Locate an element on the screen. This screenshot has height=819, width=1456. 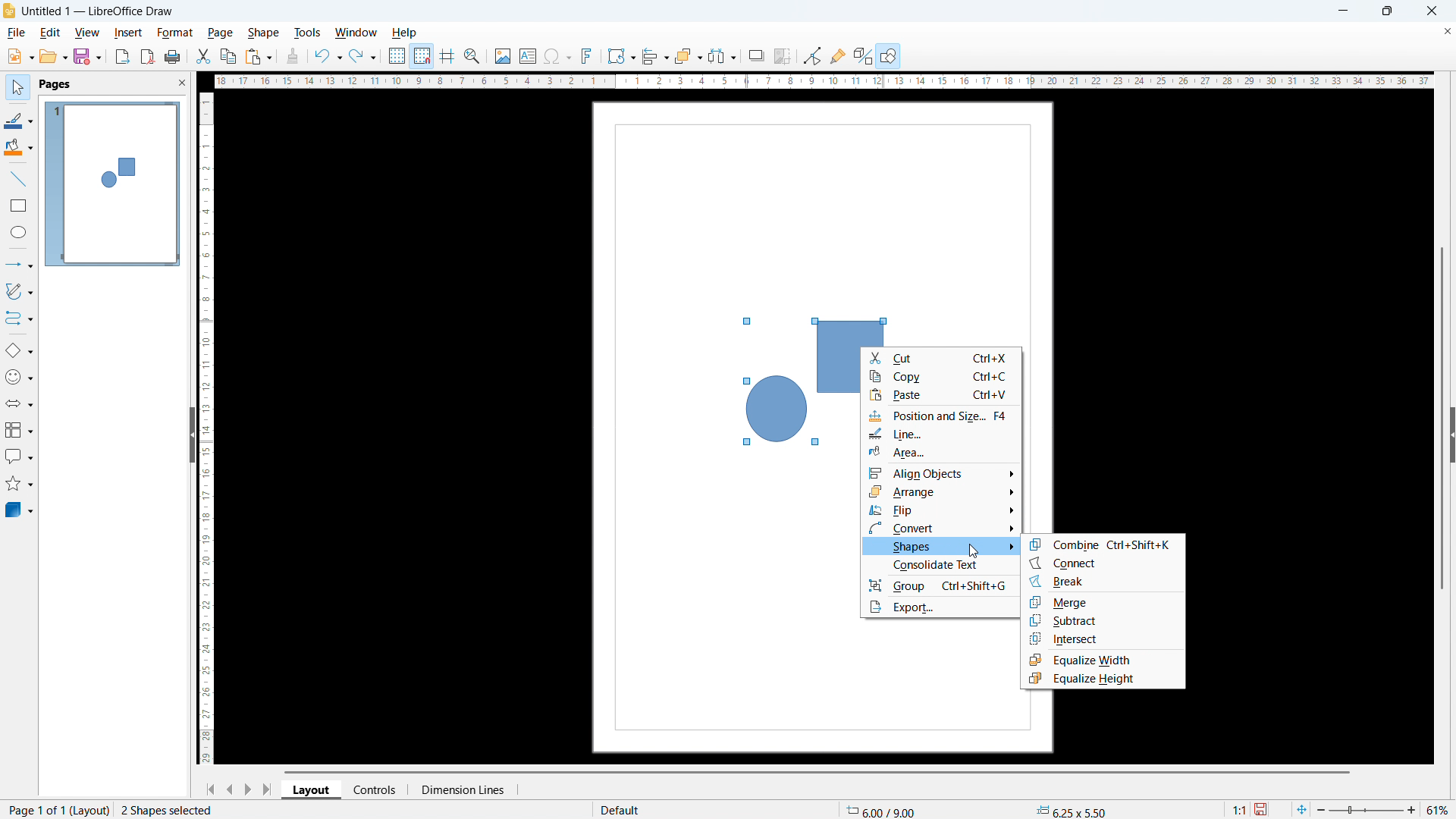
 is located at coordinates (814, 57).